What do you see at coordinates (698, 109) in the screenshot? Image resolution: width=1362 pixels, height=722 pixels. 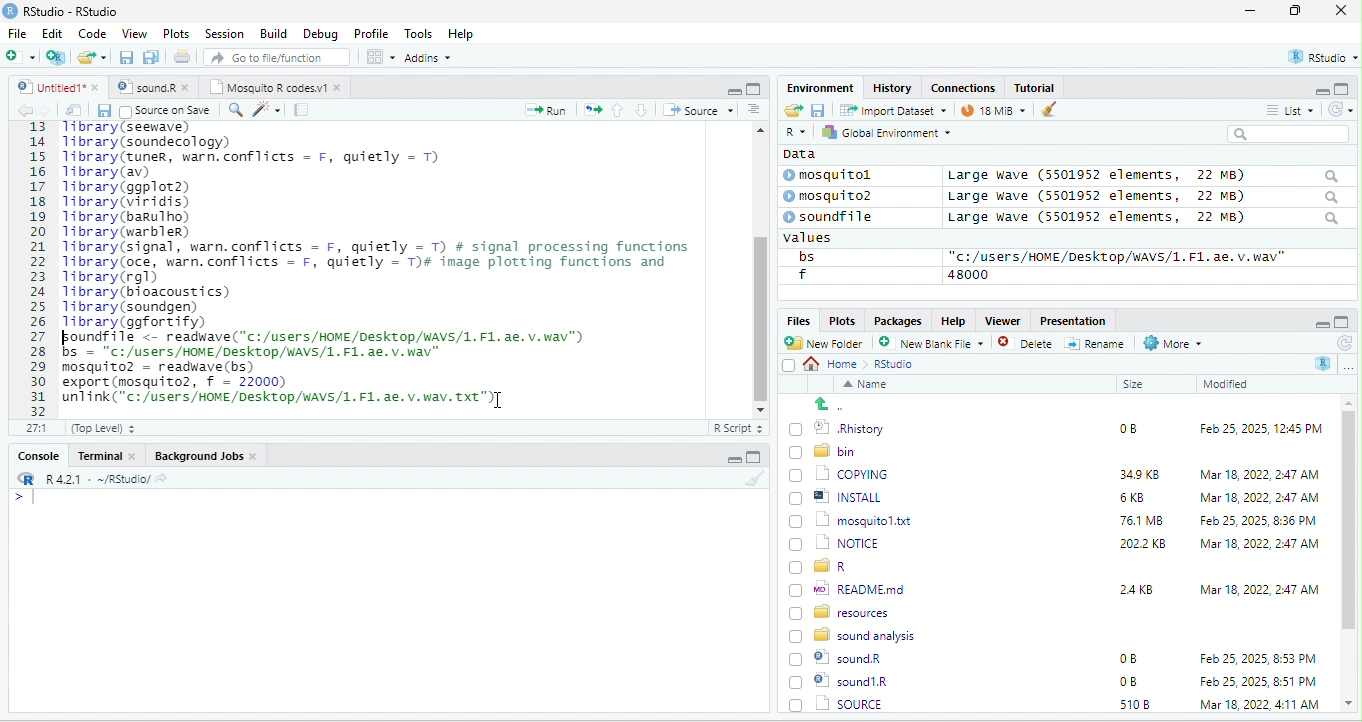 I see `+ Source +` at bounding box center [698, 109].